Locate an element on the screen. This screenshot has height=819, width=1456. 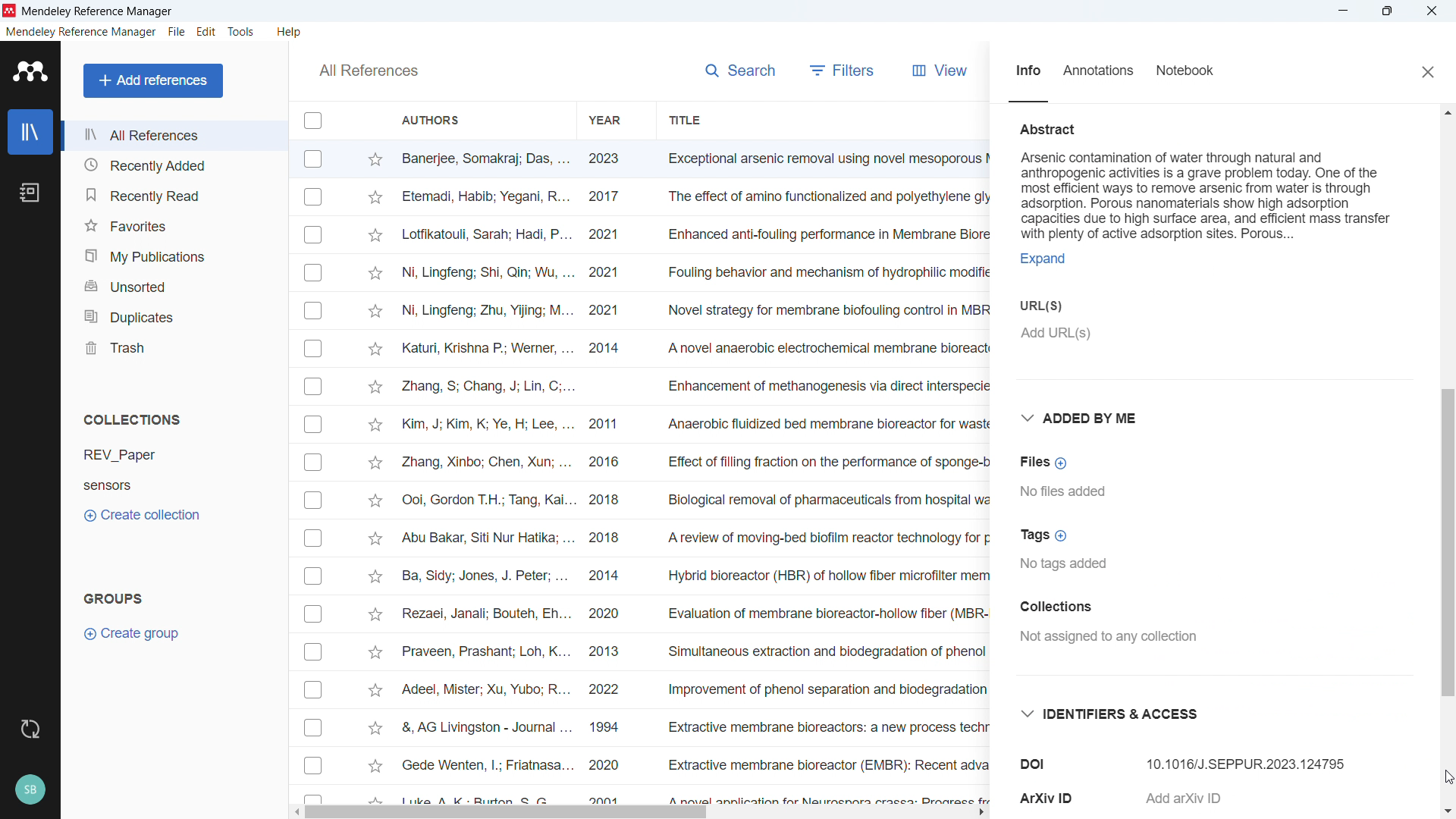
exceptional arsenic removal using novel mesoporous mg-ai-ti temany compo is located at coordinates (821, 159).